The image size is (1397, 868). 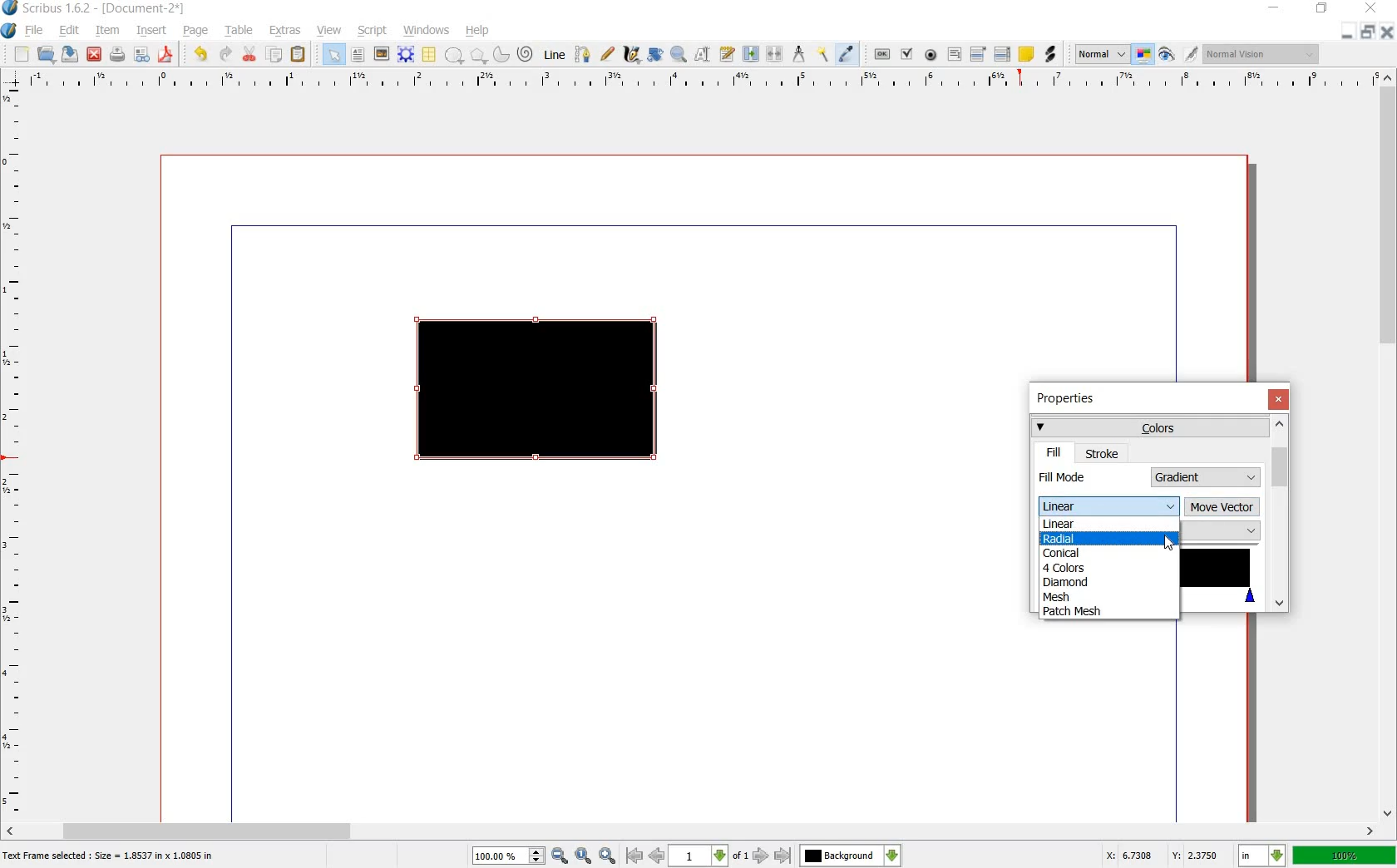 I want to click on pdf text field, so click(x=954, y=54).